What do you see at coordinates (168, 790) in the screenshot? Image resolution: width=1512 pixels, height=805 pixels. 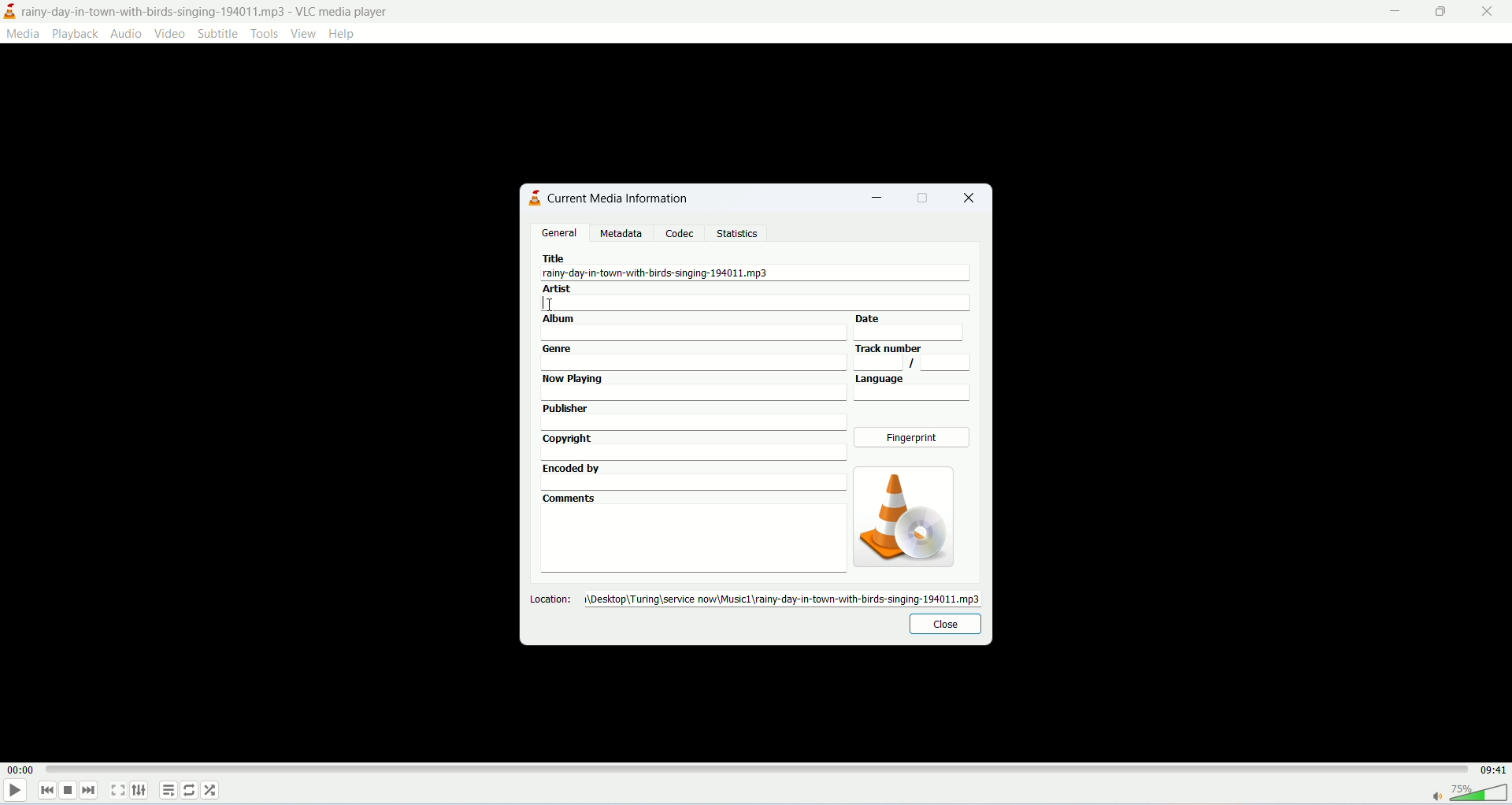 I see `playlist` at bounding box center [168, 790].